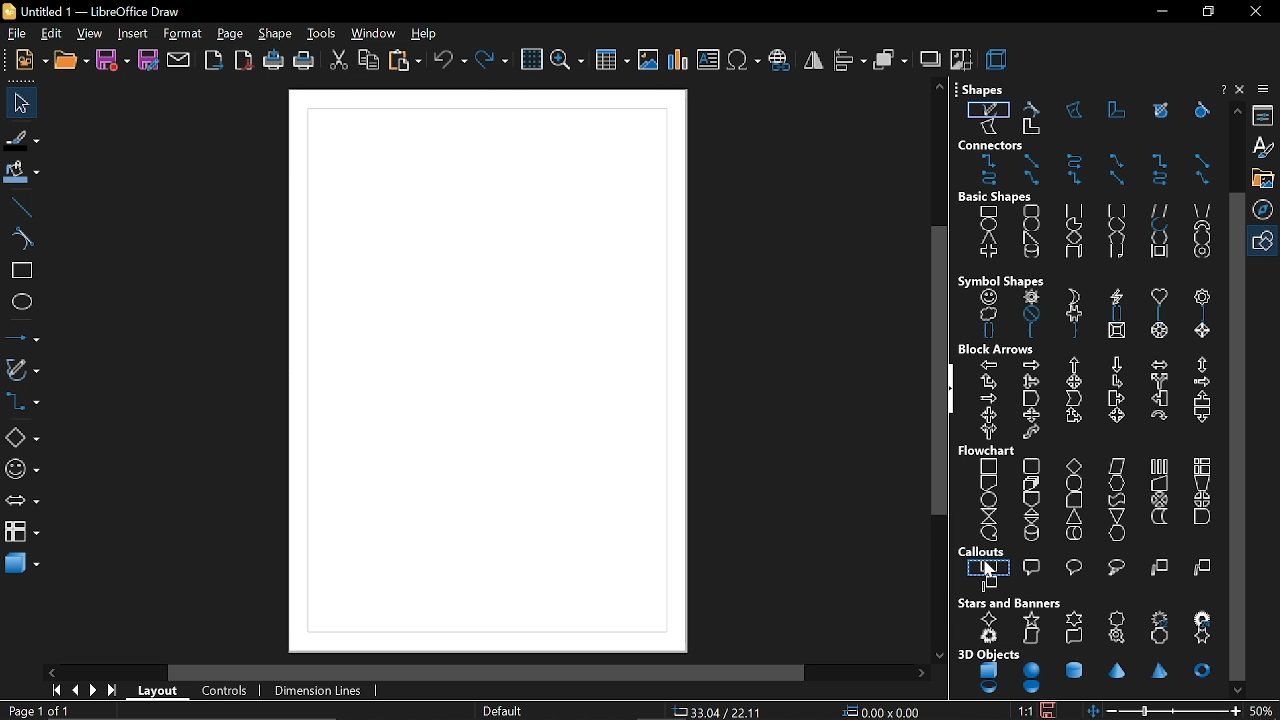 This screenshot has width=1280, height=720. Describe the element at coordinates (53, 692) in the screenshot. I see `go to first page` at that location.